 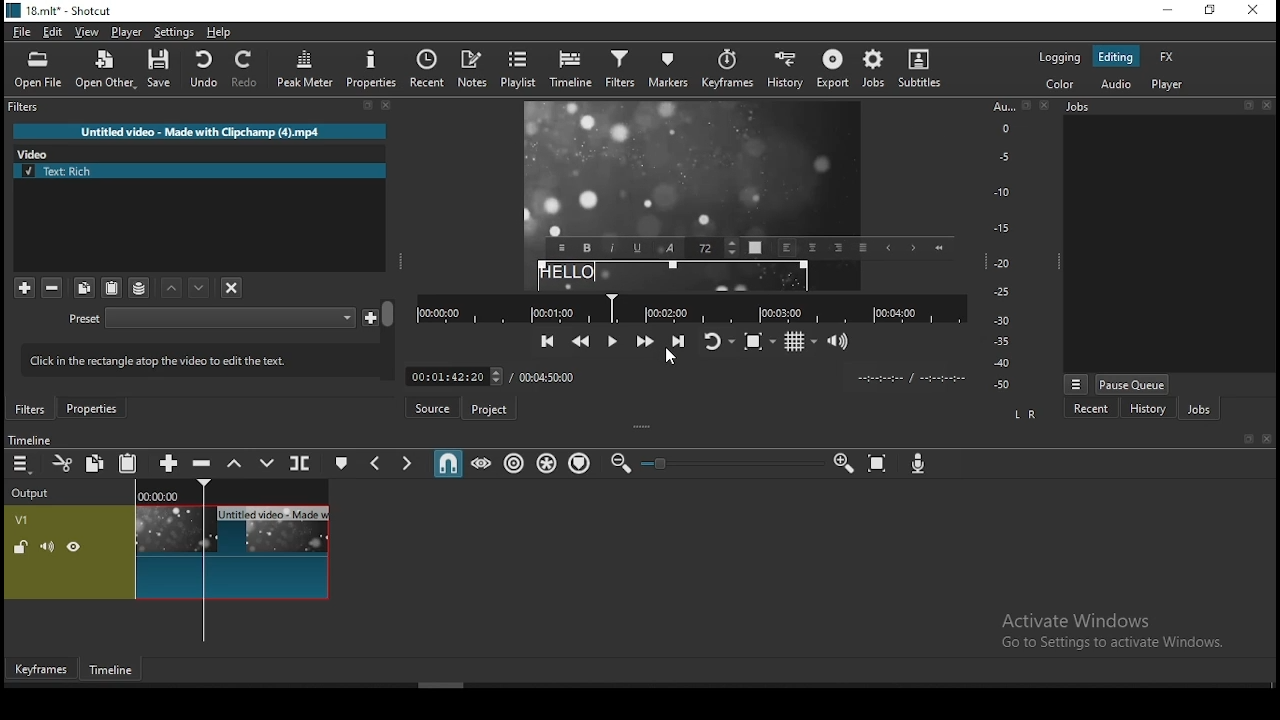 What do you see at coordinates (85, 288) in the screenshot?
I see `copy` at bounding box center [85, 288].